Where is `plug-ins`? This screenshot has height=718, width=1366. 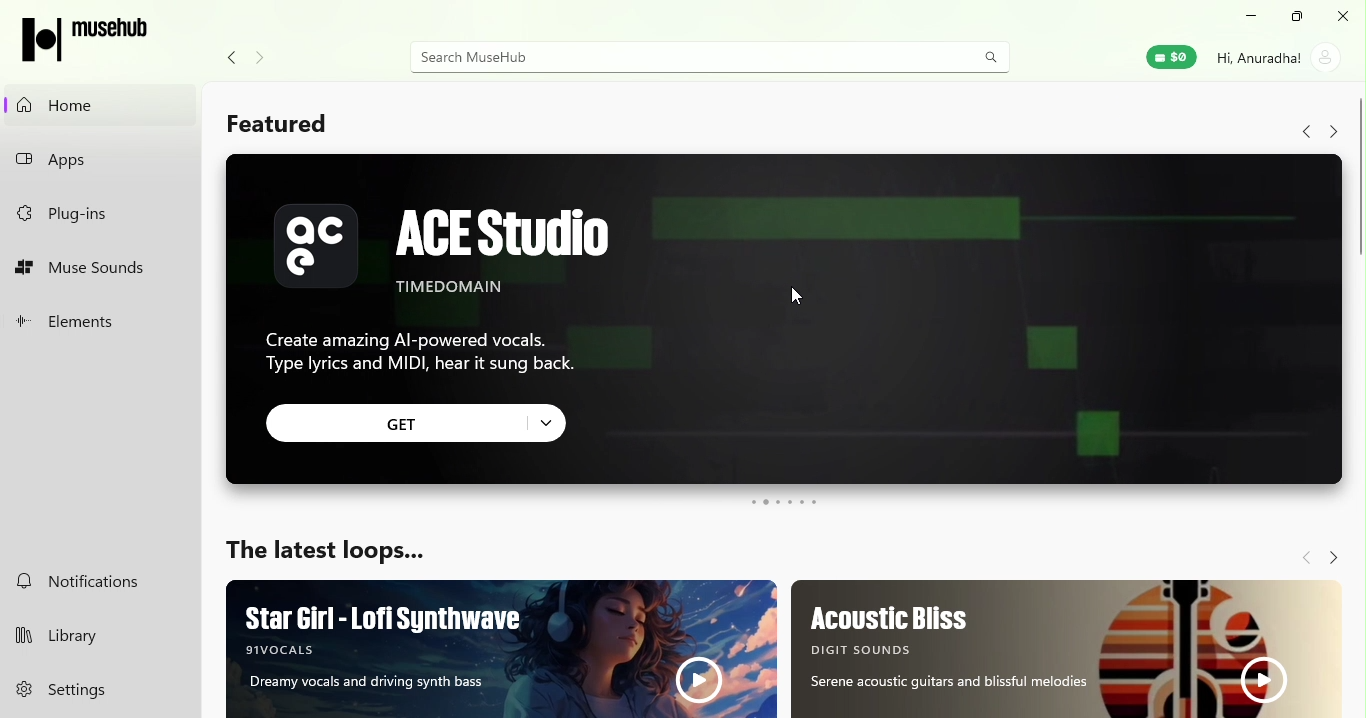 plug-ins is located at coordinates (99, 211).